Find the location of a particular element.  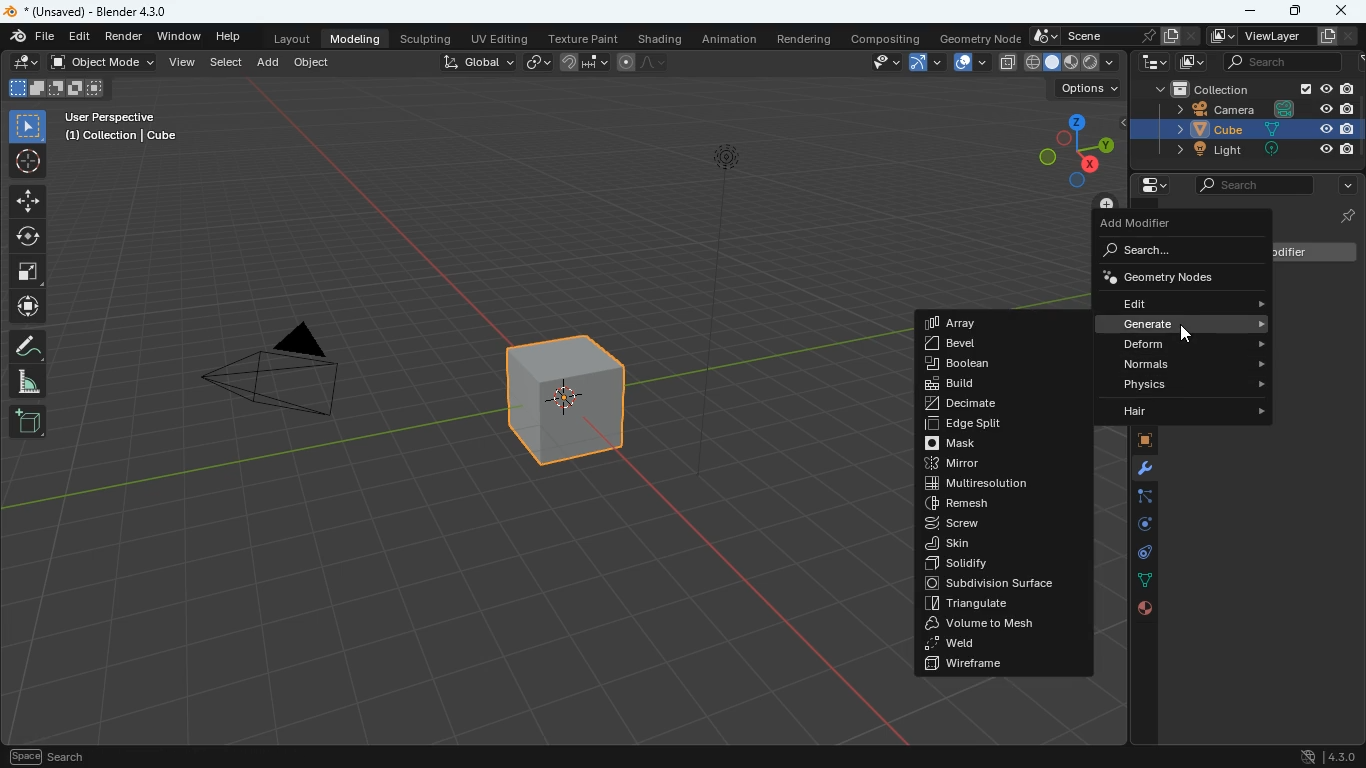

boolean is located at coordinates (1000, 365).